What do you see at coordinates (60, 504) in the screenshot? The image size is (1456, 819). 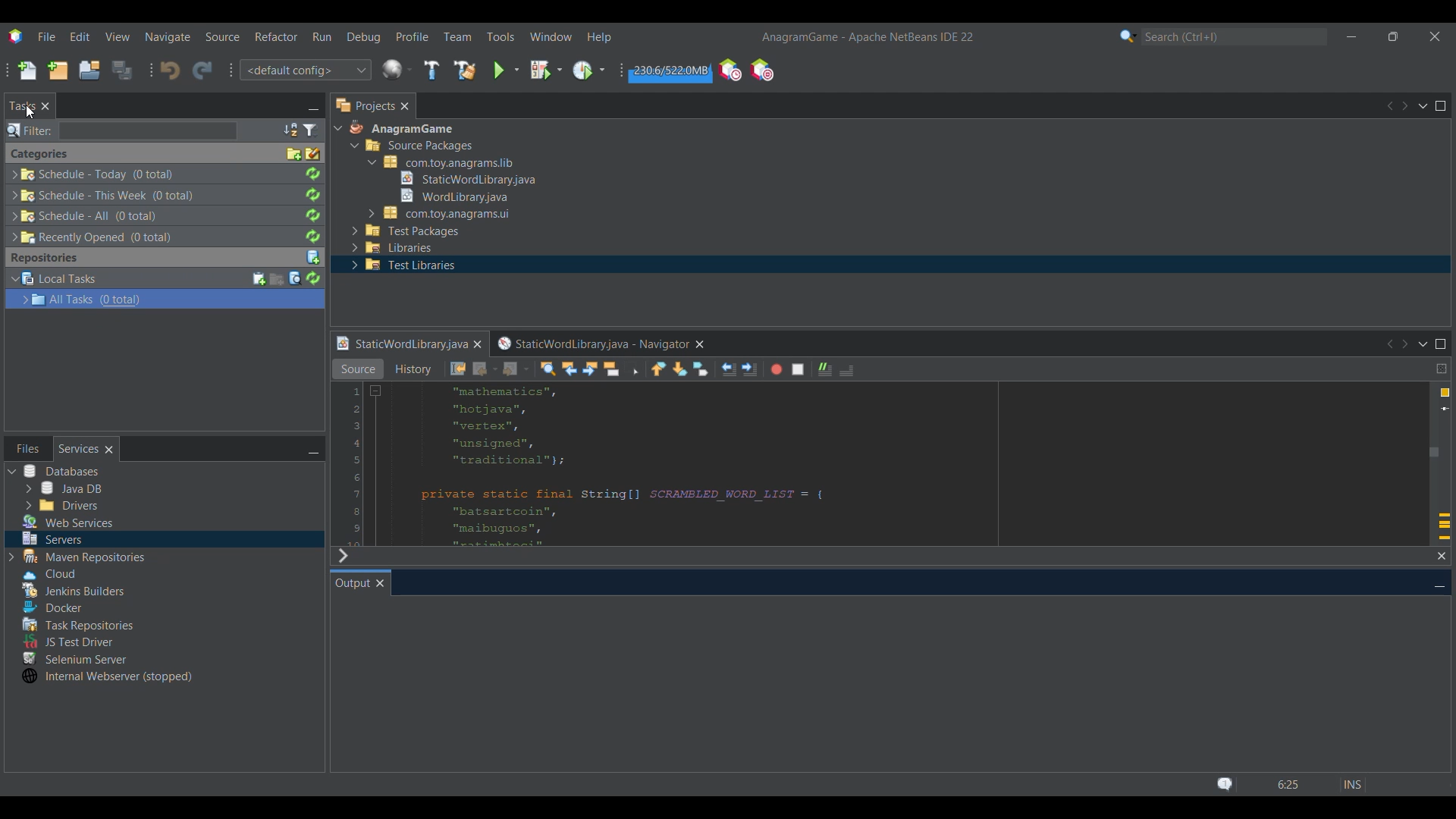 I see `` at bounding box center [60, 504].